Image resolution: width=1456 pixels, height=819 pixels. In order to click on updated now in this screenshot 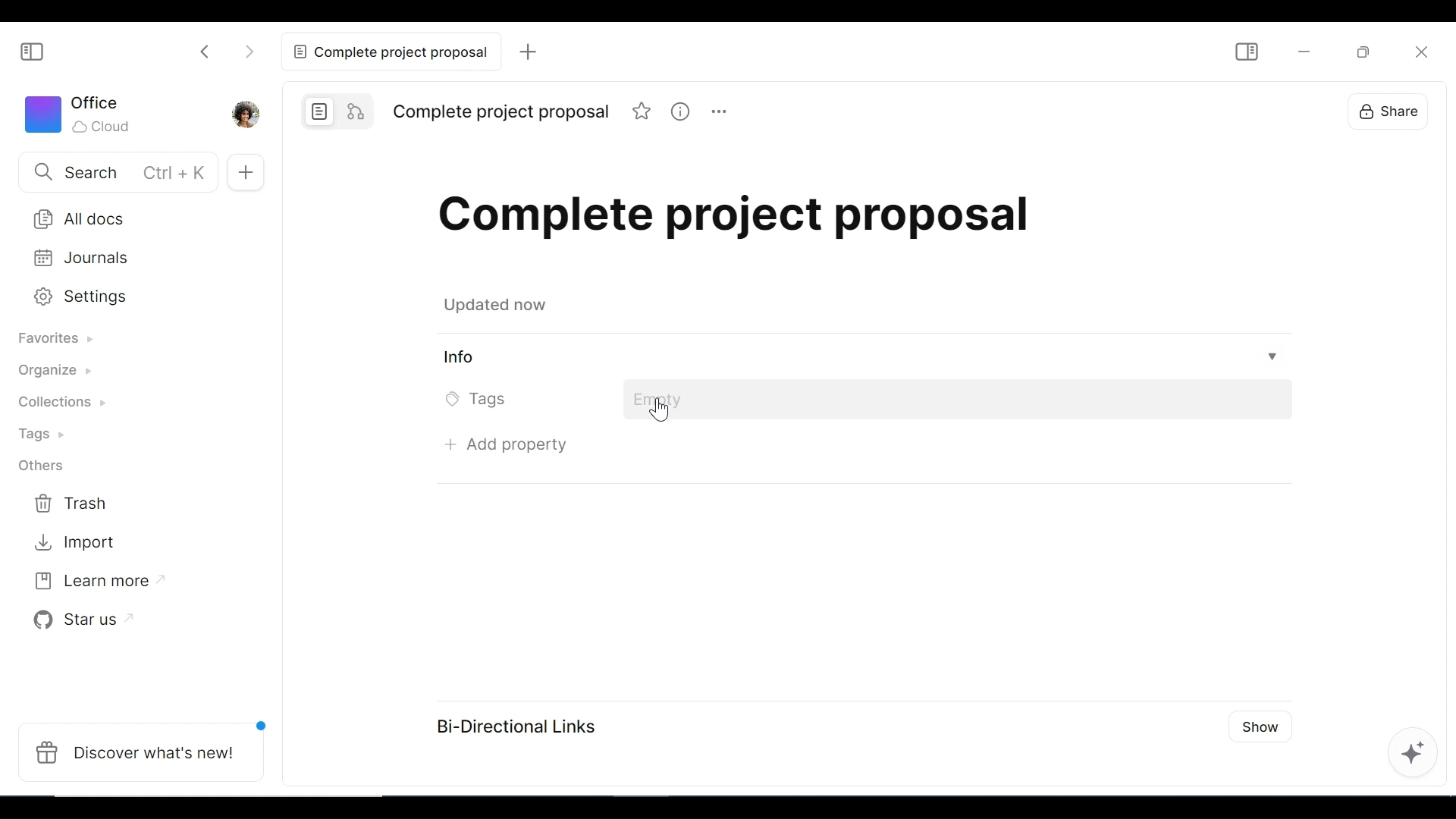, I will do `click(499, 305)`.